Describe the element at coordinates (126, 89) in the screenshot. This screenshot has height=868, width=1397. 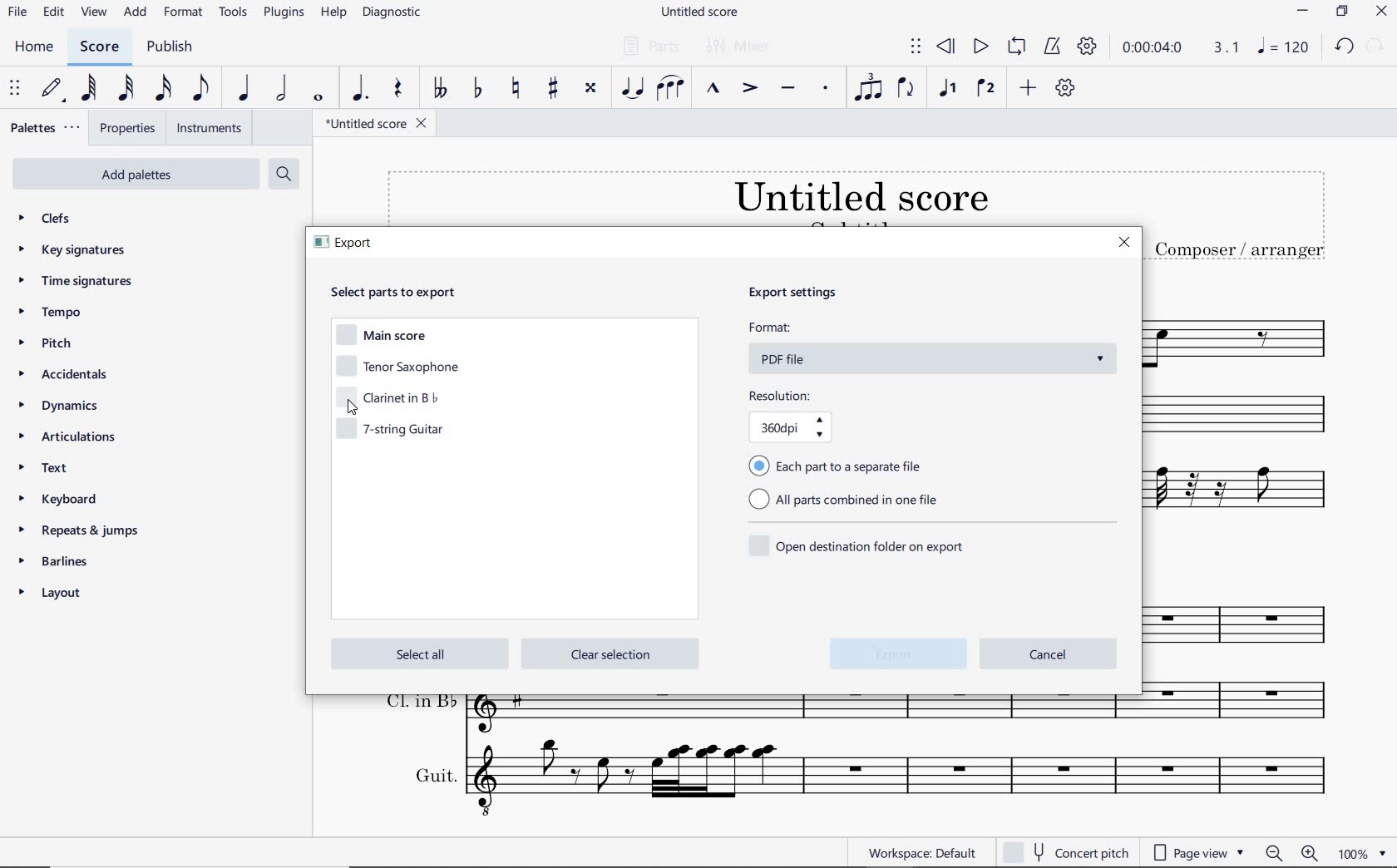
I see `32ND NOTE` at that location.